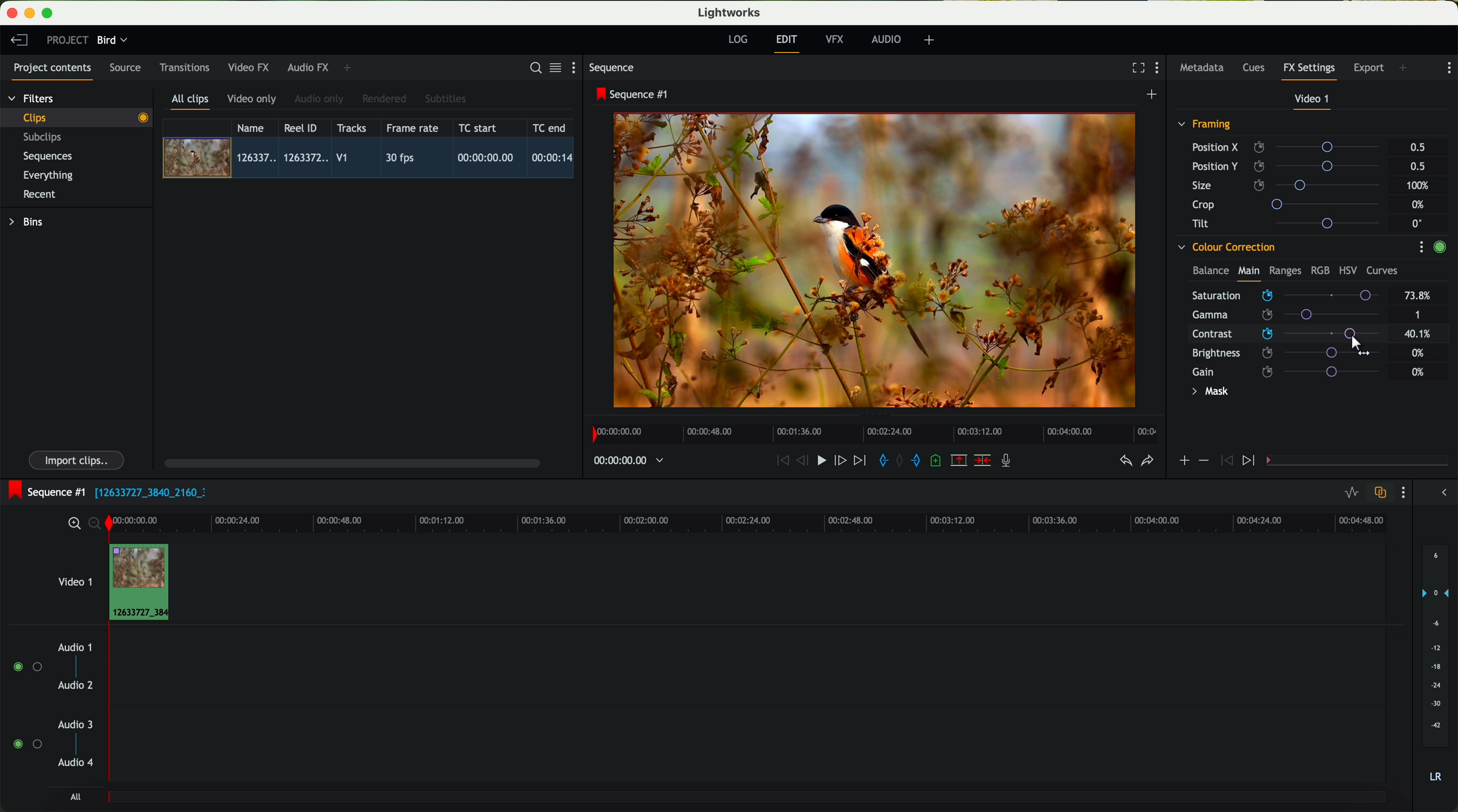  What do you see at coordinates (880, 462) in the screenshot?
I see `add 'in' mark` at bounding box center [880, 462].